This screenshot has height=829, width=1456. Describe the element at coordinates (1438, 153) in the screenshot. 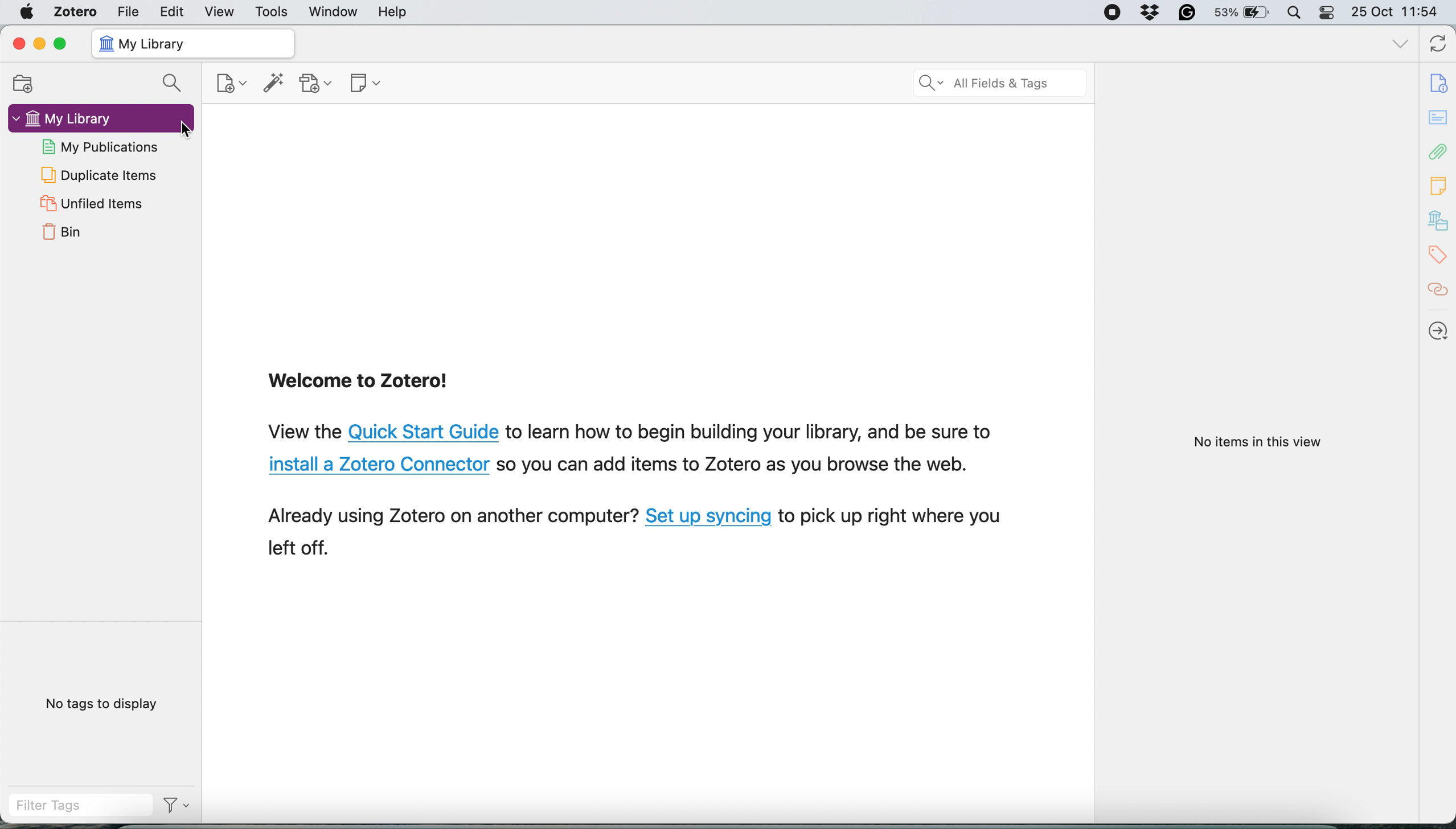

I see `attachments` at that location.